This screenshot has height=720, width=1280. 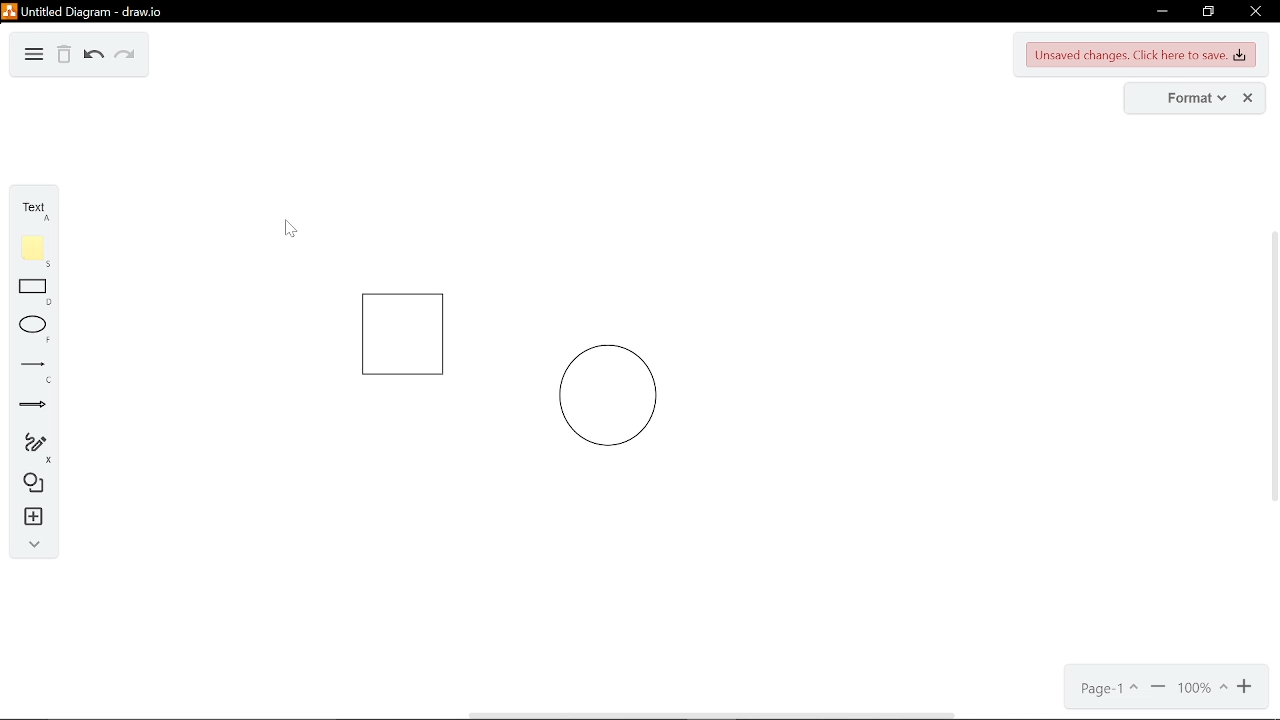 What do you see at coordinates (34, 250) in the screenshot?
I see `note` at bounding box center [34, 250].